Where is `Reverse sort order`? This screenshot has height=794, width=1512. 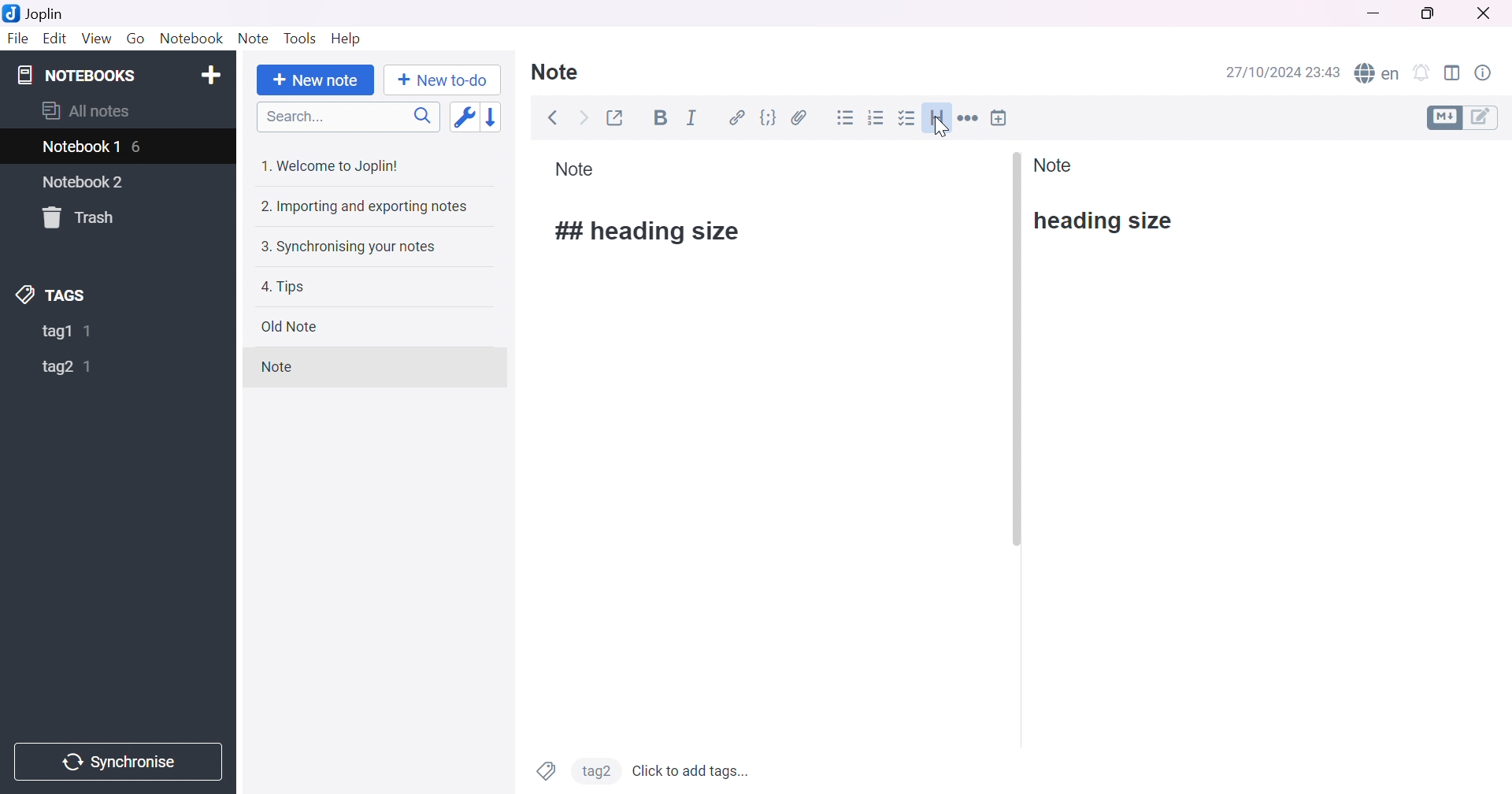
Reverse sort order is located at coordinates (492, 117).